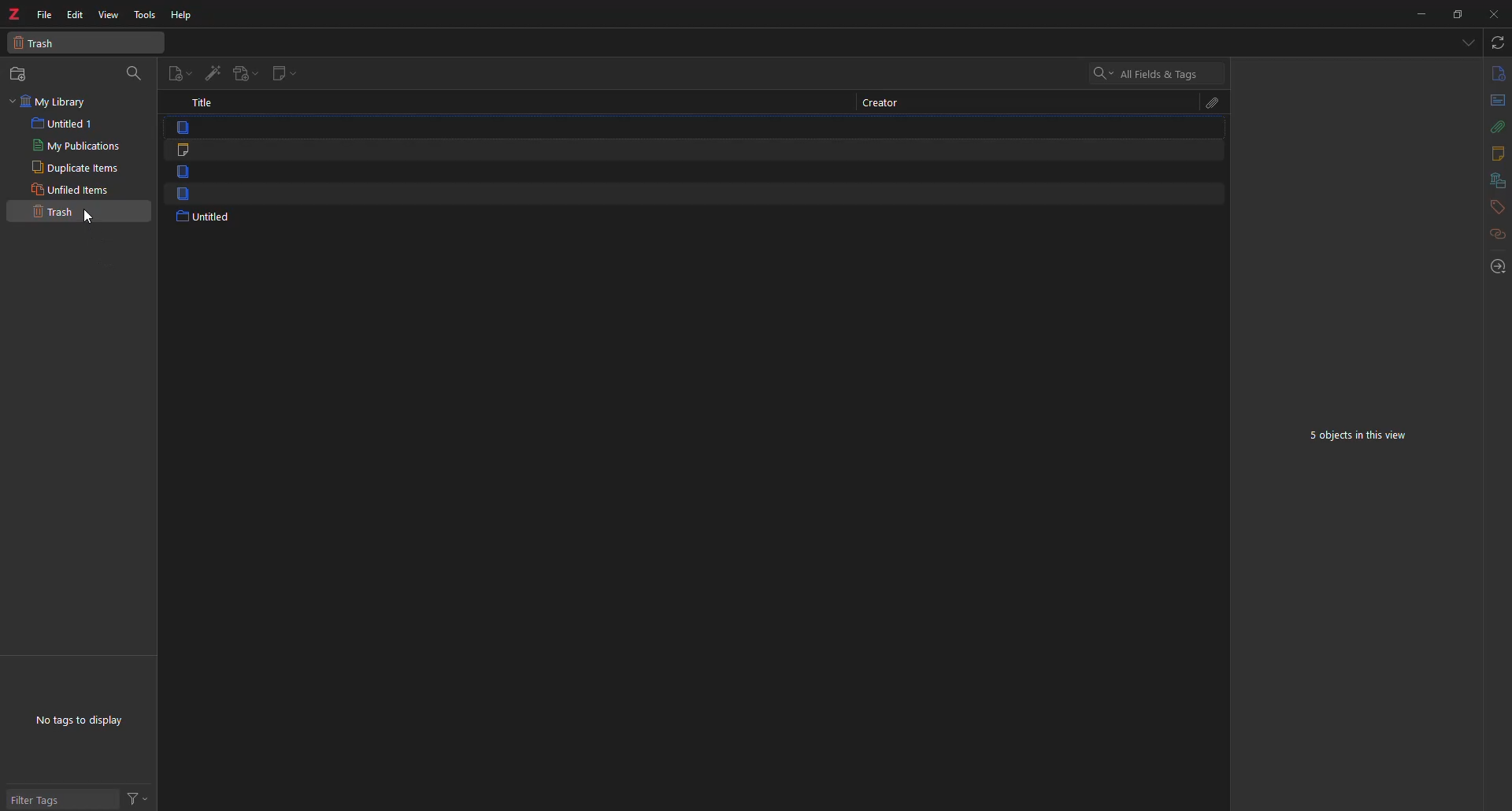 This screenshot has width=1512, height=811. I want to click on attach, so click(1214, 103).